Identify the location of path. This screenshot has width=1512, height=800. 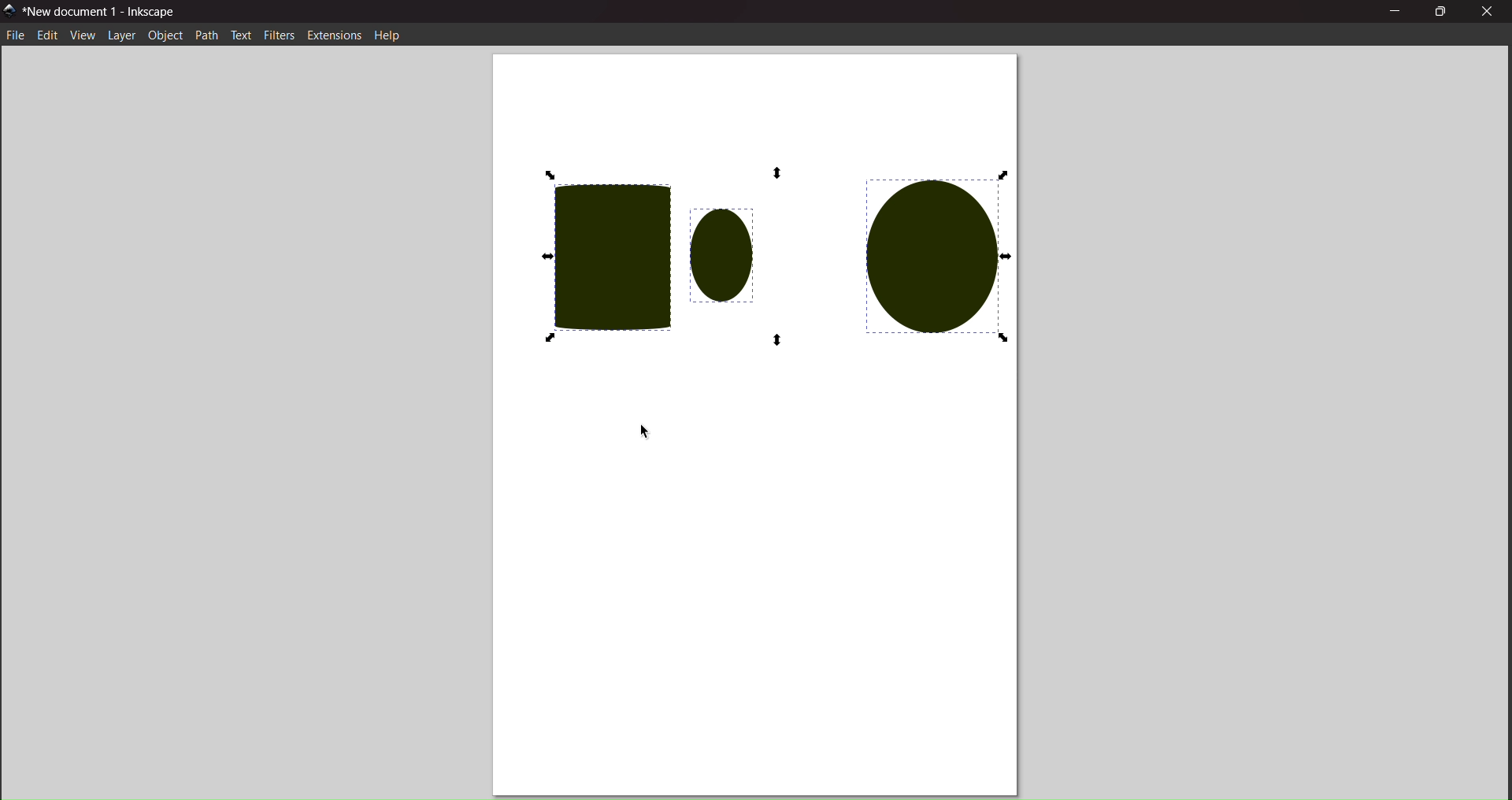
(207, 35).